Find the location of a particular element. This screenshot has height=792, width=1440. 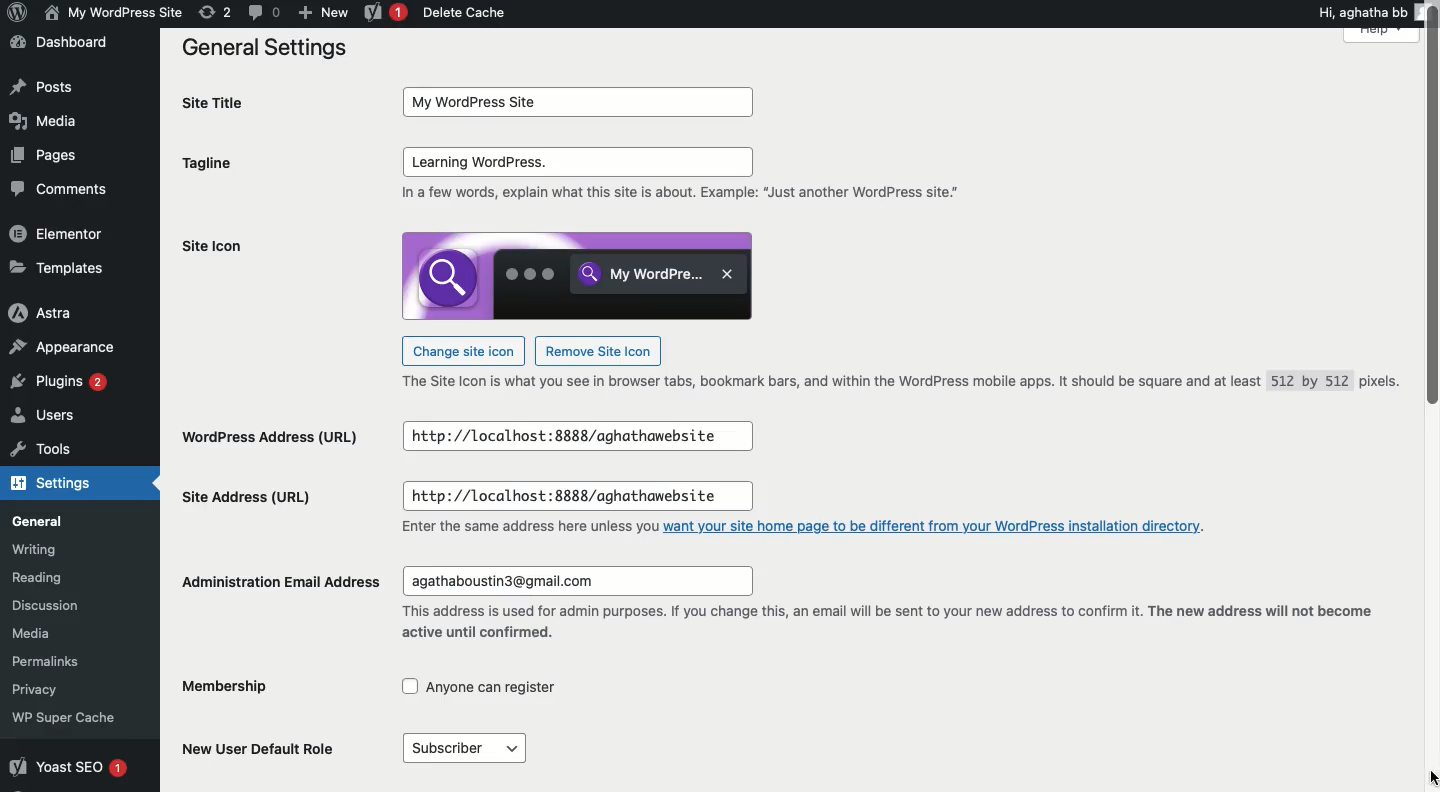

‘This address Is used for admin purposes. If you change this, an email will be sent to your new address to confirm it. The new address will not become
active until confirmed. is located at coordinates (888, 623).